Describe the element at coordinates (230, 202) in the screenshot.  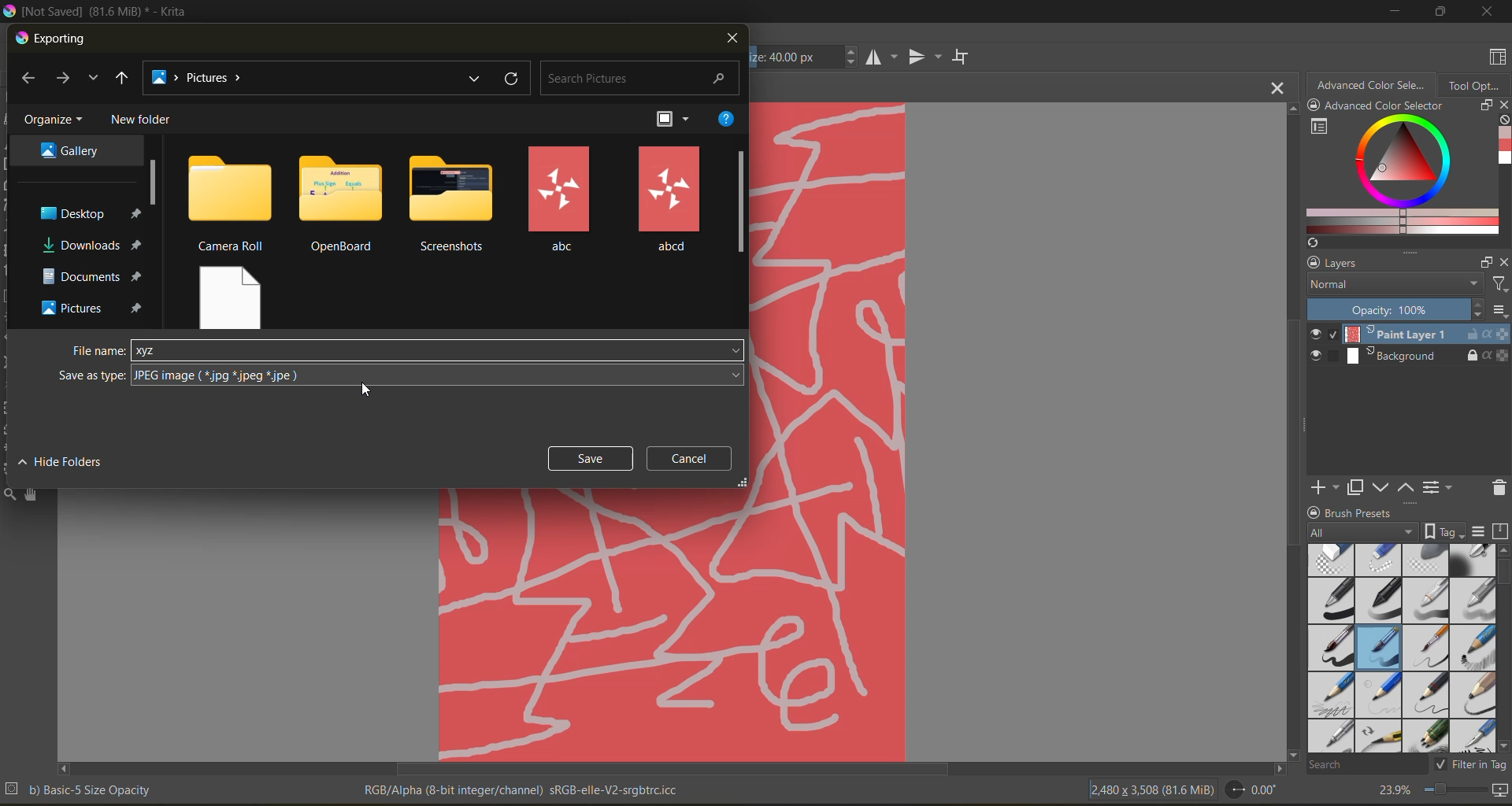
I see `folders` at that location.